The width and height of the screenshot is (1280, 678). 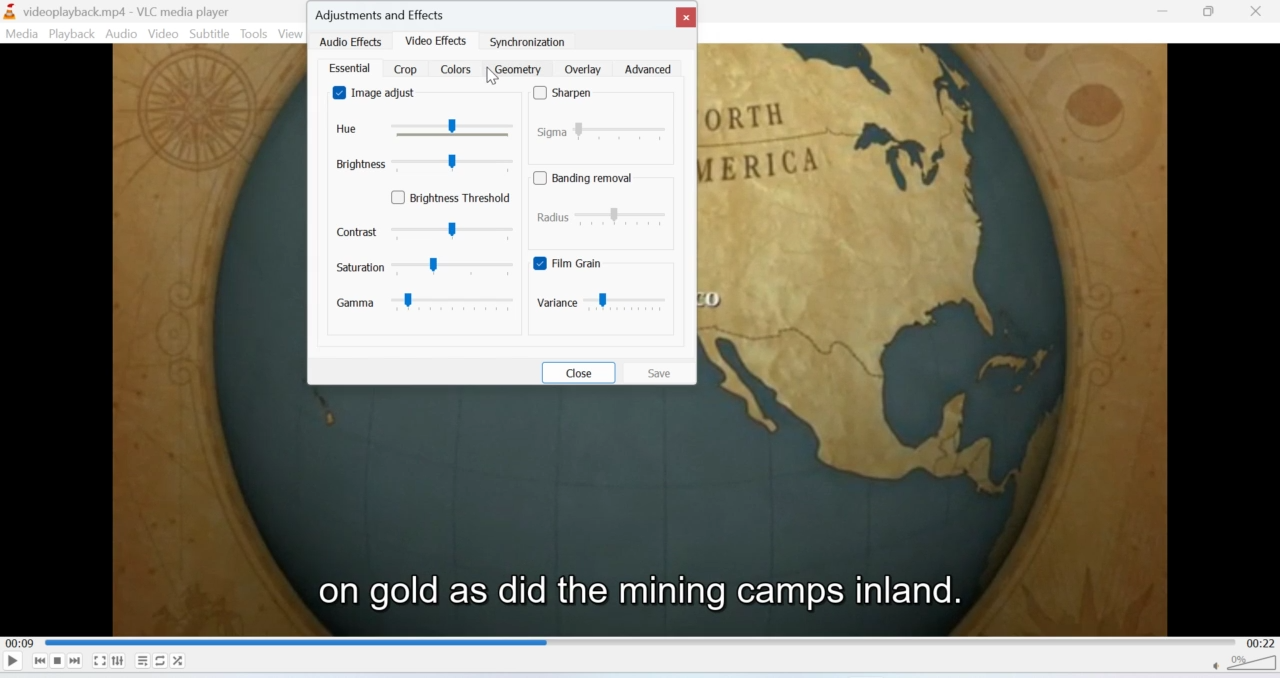 What do you see at coordinates (582, 374) in the screenshot?
I see `close` at bounding box center [582, 374].